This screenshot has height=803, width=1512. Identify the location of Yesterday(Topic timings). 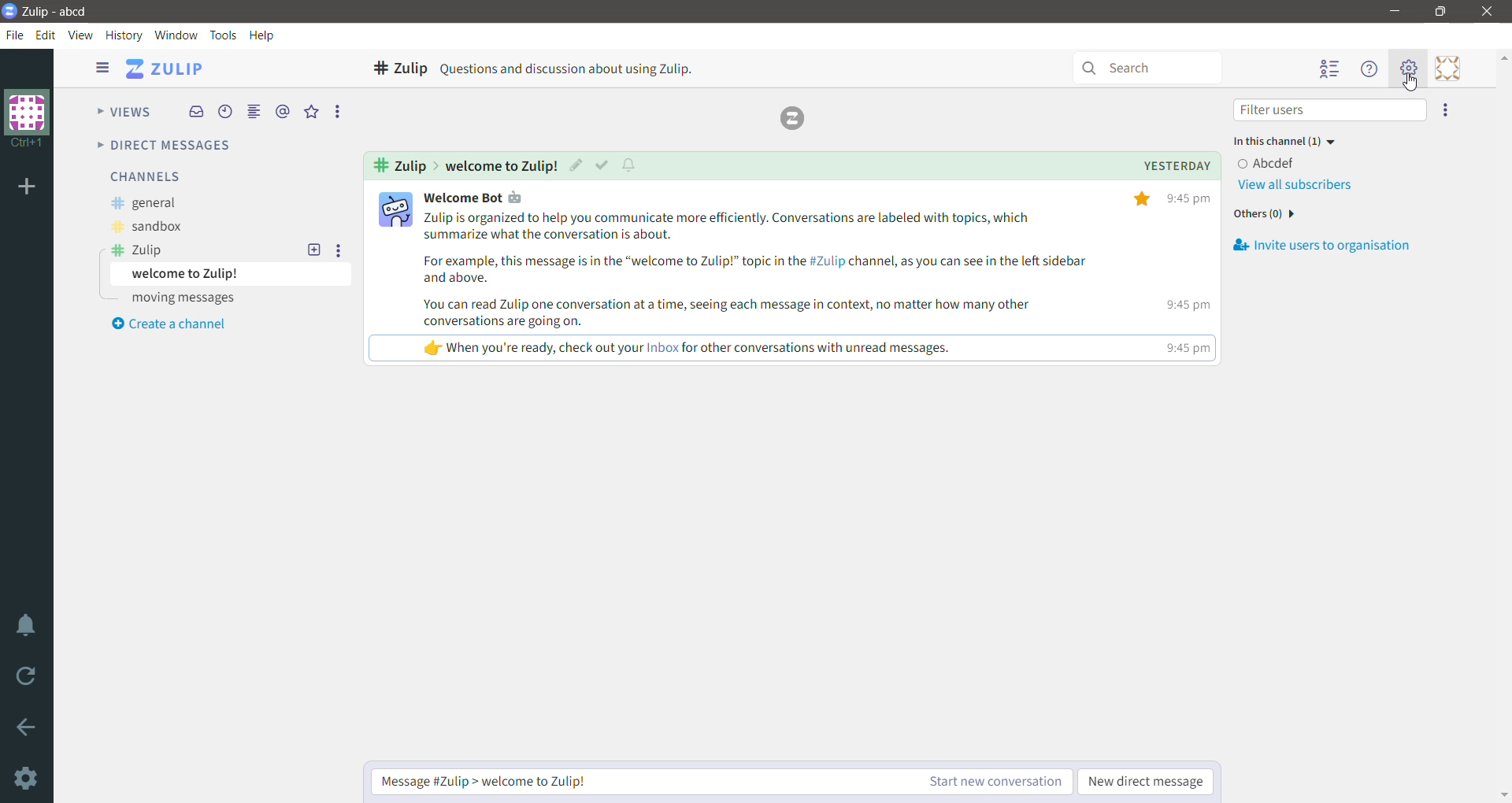
(1180, 166).